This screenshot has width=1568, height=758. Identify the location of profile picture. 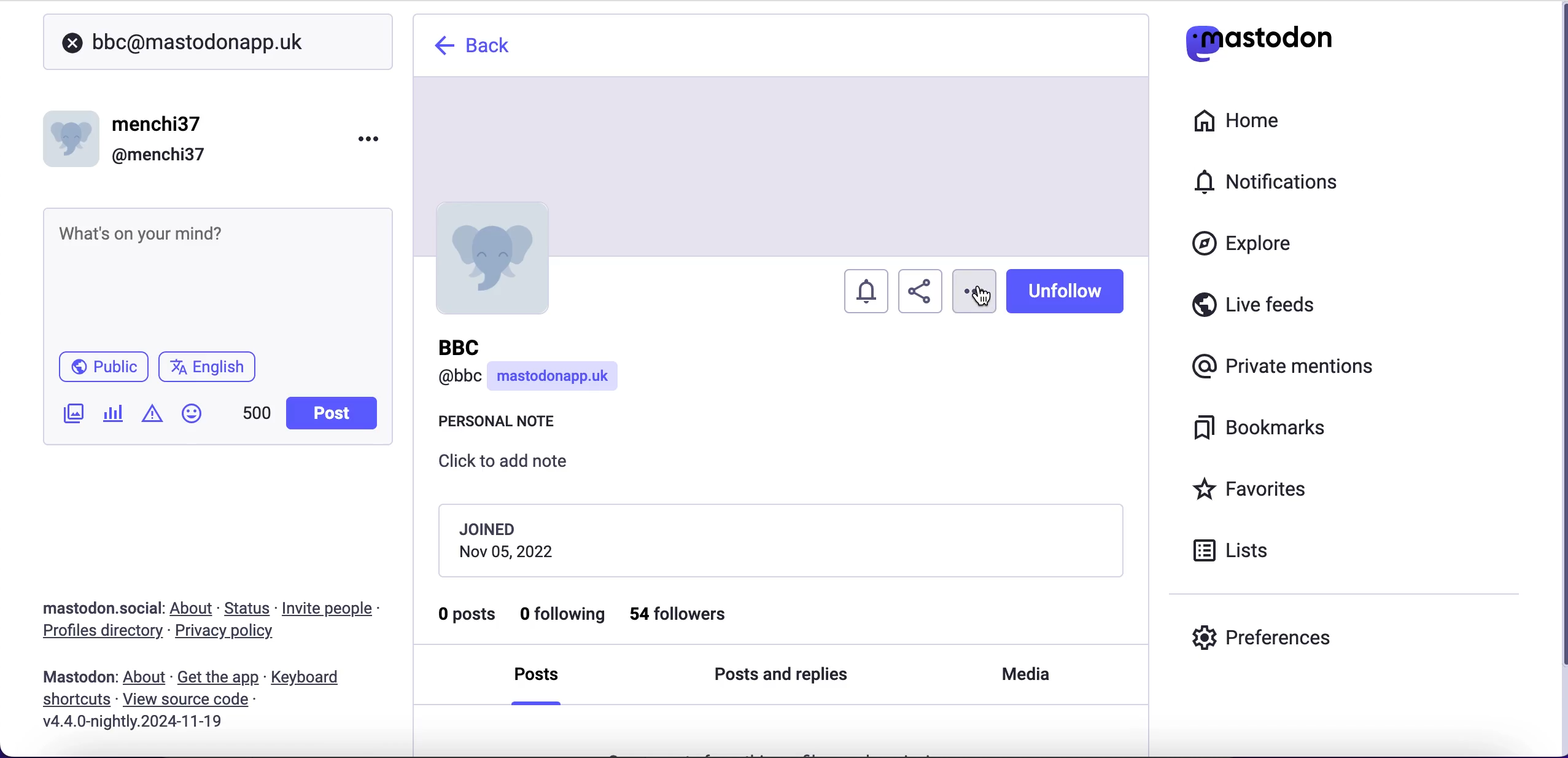
(508, 259).